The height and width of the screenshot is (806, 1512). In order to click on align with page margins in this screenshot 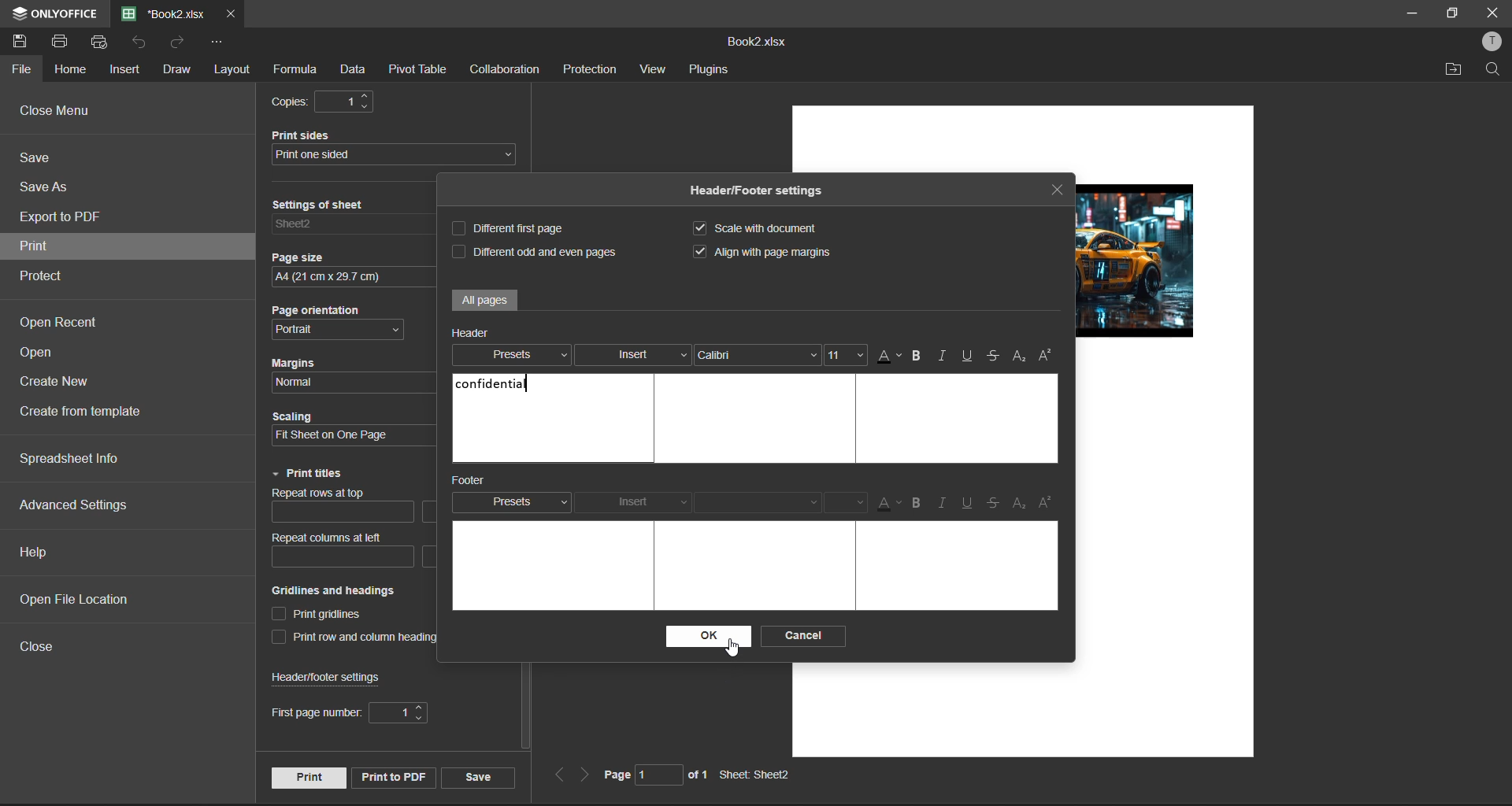, I will do `click(773, 252)`.